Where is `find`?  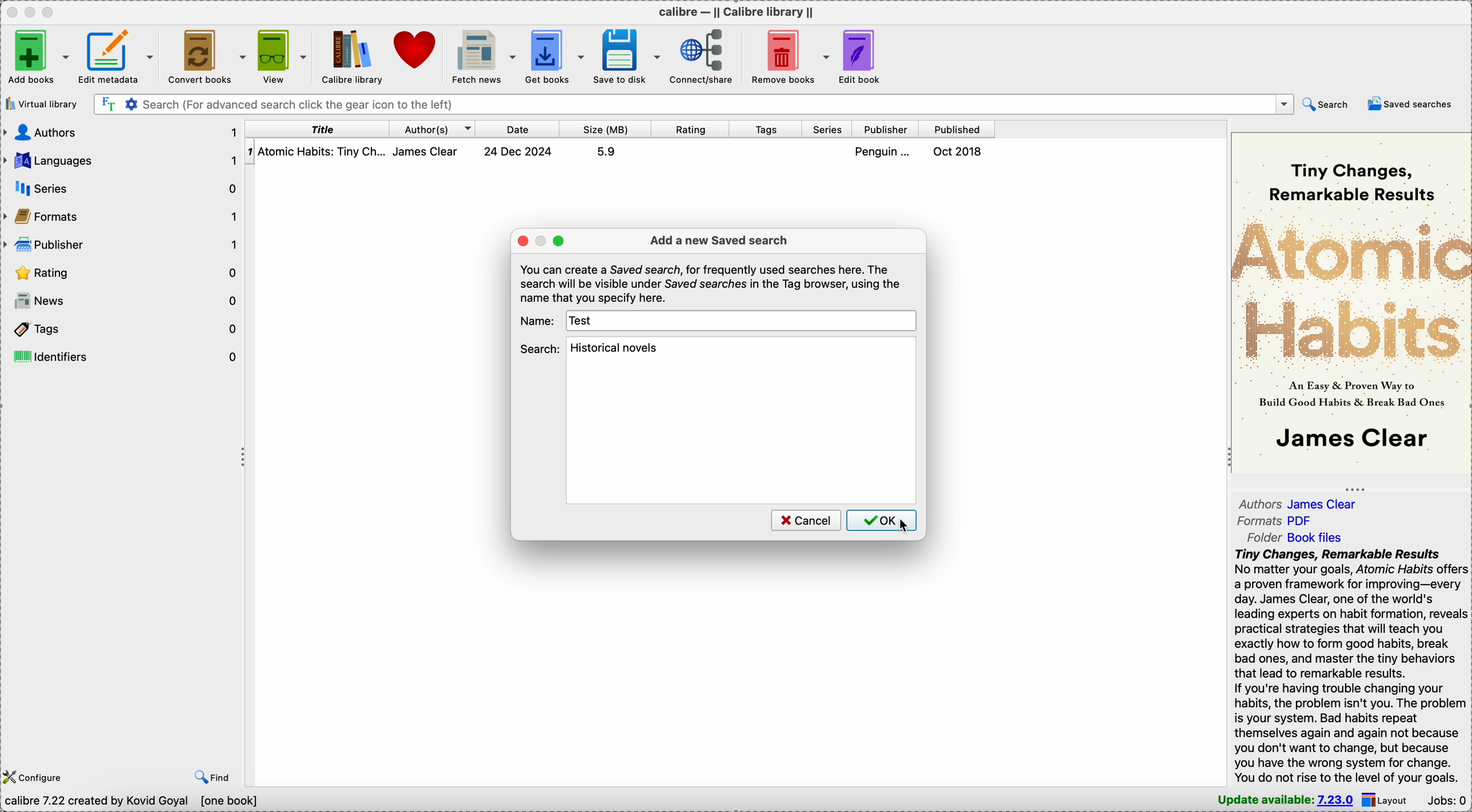
find is located at coordinates (213, 775).